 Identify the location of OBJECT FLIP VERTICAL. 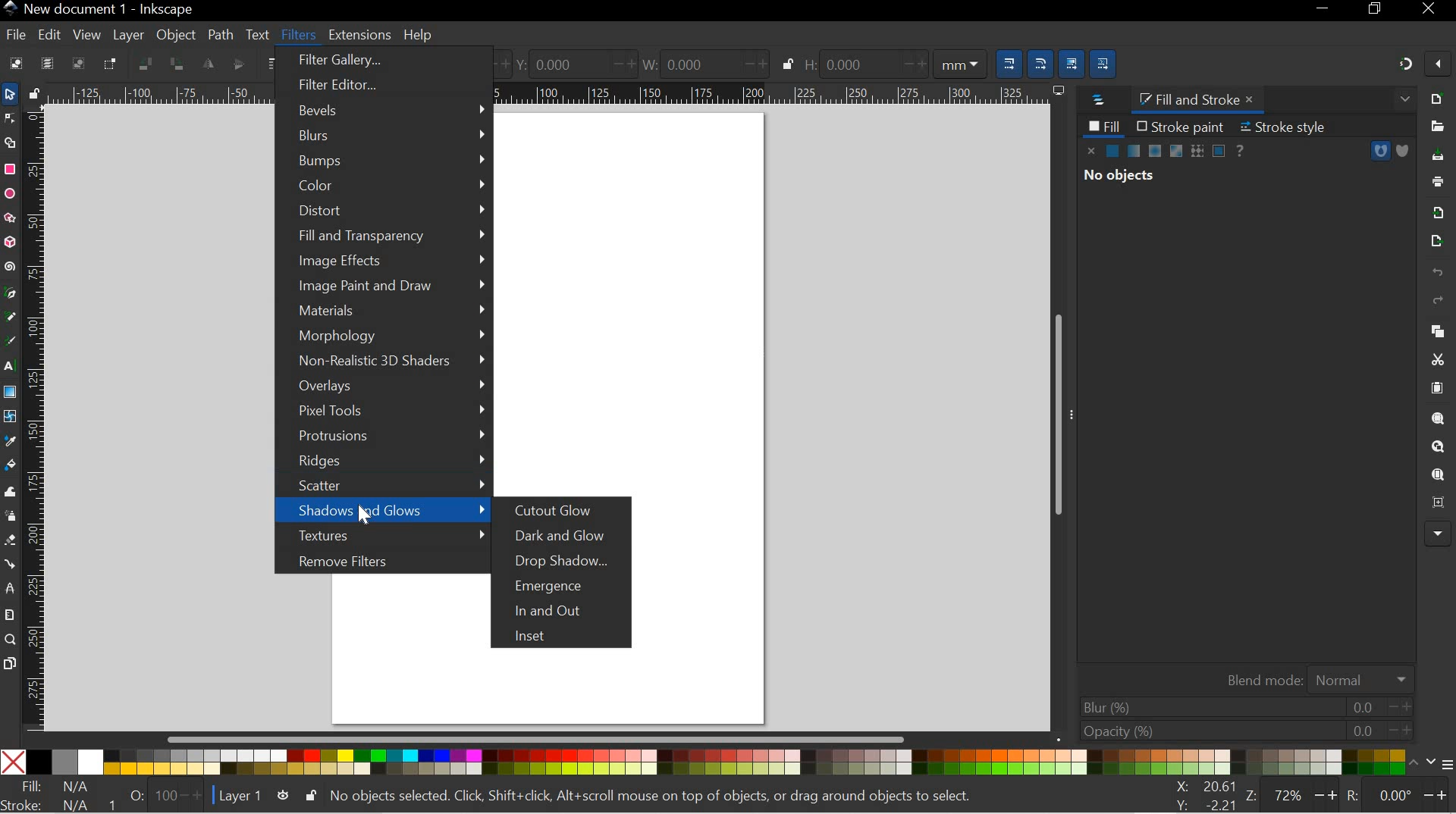
(237, 64).